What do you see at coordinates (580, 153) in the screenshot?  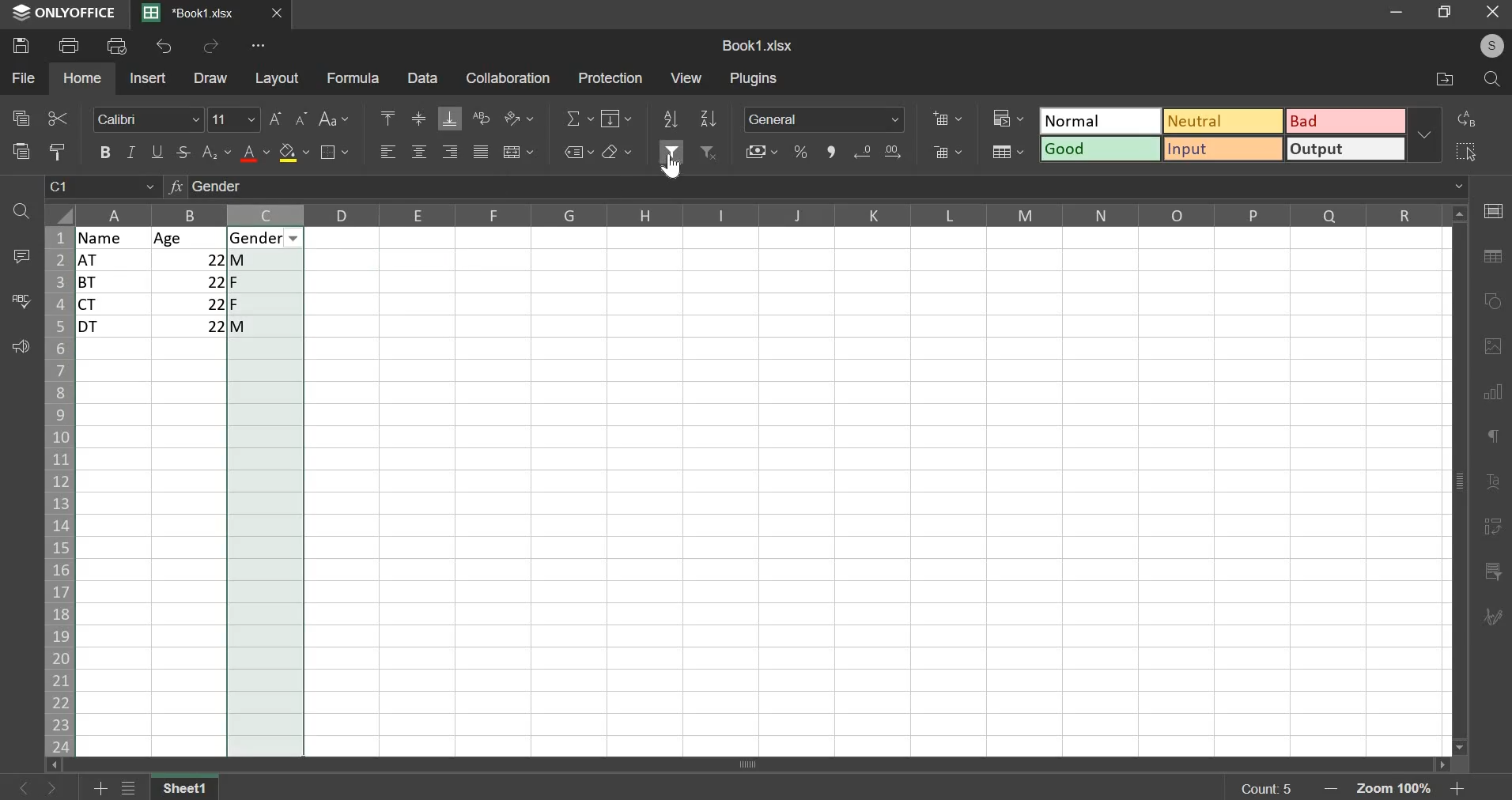 I see `named range` at bounding box center [580, 153].